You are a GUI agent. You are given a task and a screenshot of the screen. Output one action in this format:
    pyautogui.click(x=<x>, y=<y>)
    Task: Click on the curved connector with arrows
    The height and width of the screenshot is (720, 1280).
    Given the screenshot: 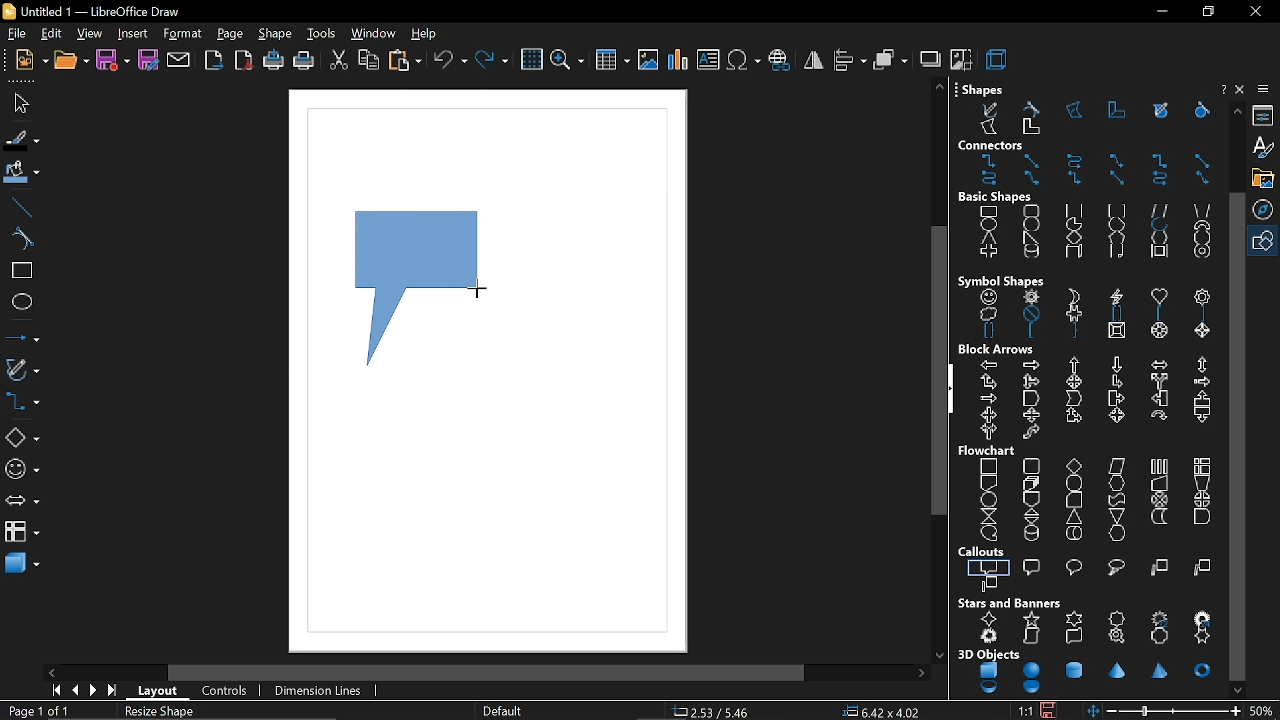 What is the action you would take?
    pyautogui.click(x=1161, y=179)
    